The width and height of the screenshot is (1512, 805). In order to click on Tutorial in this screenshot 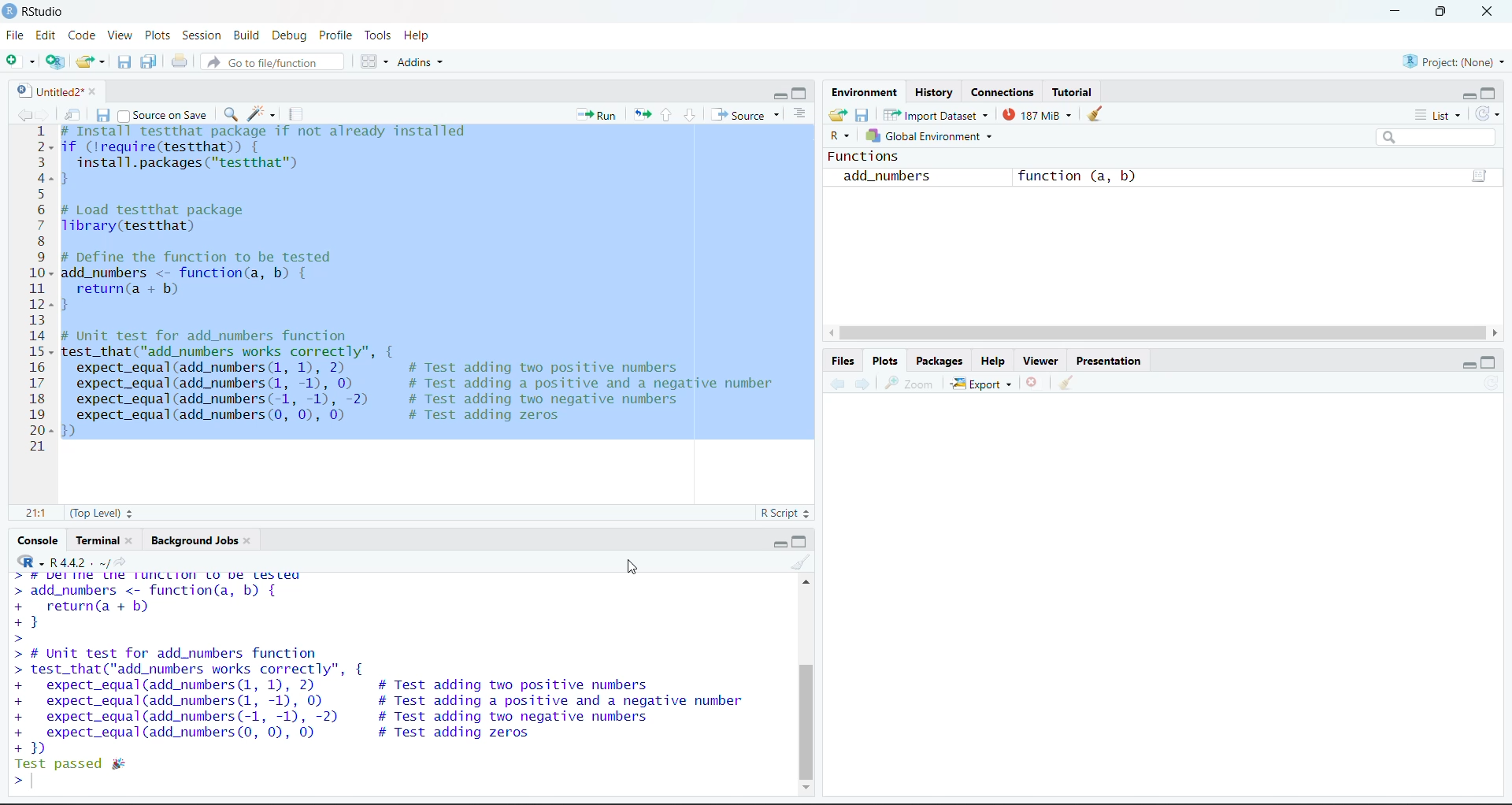, I will do `click(1071, 91)`.